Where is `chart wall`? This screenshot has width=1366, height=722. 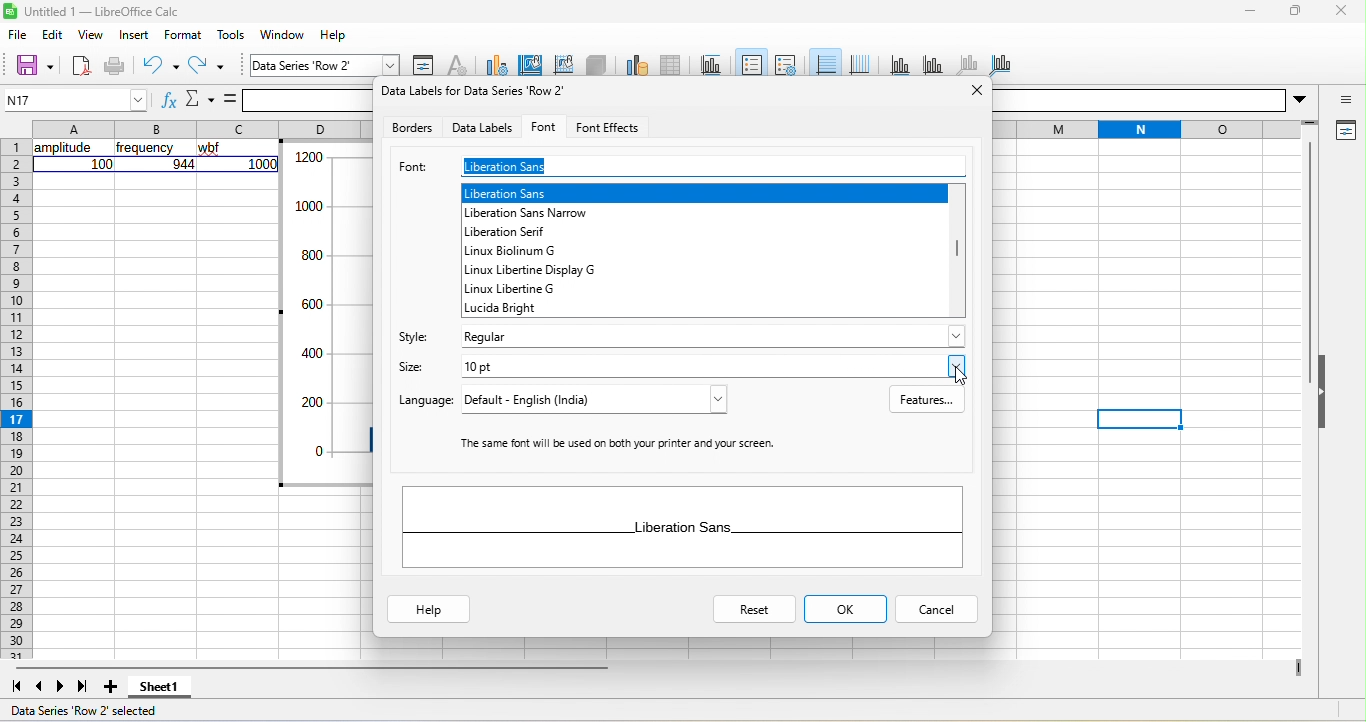 chart wall is located at coordinates (563, 63).